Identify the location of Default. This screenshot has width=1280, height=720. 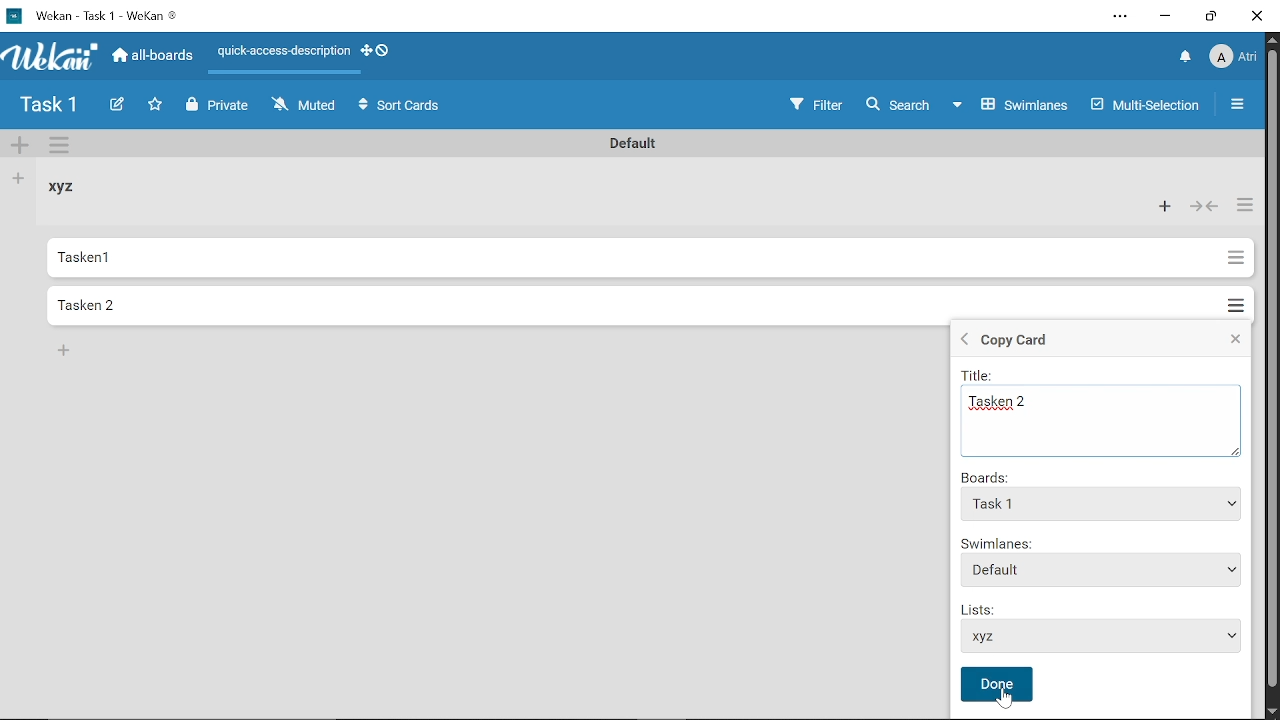
(1102, 570).